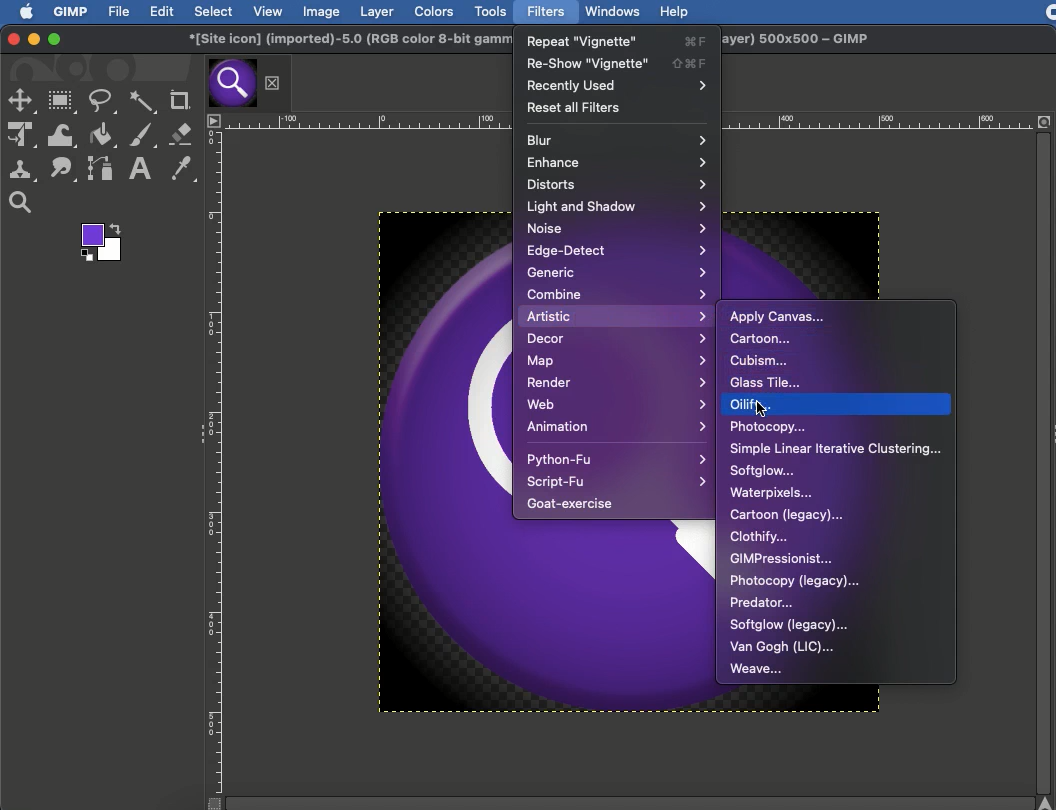  What do you see at coordinates (789, 625) in the screenshot?
I see `Softglow ` at bounding box center [789, 625].